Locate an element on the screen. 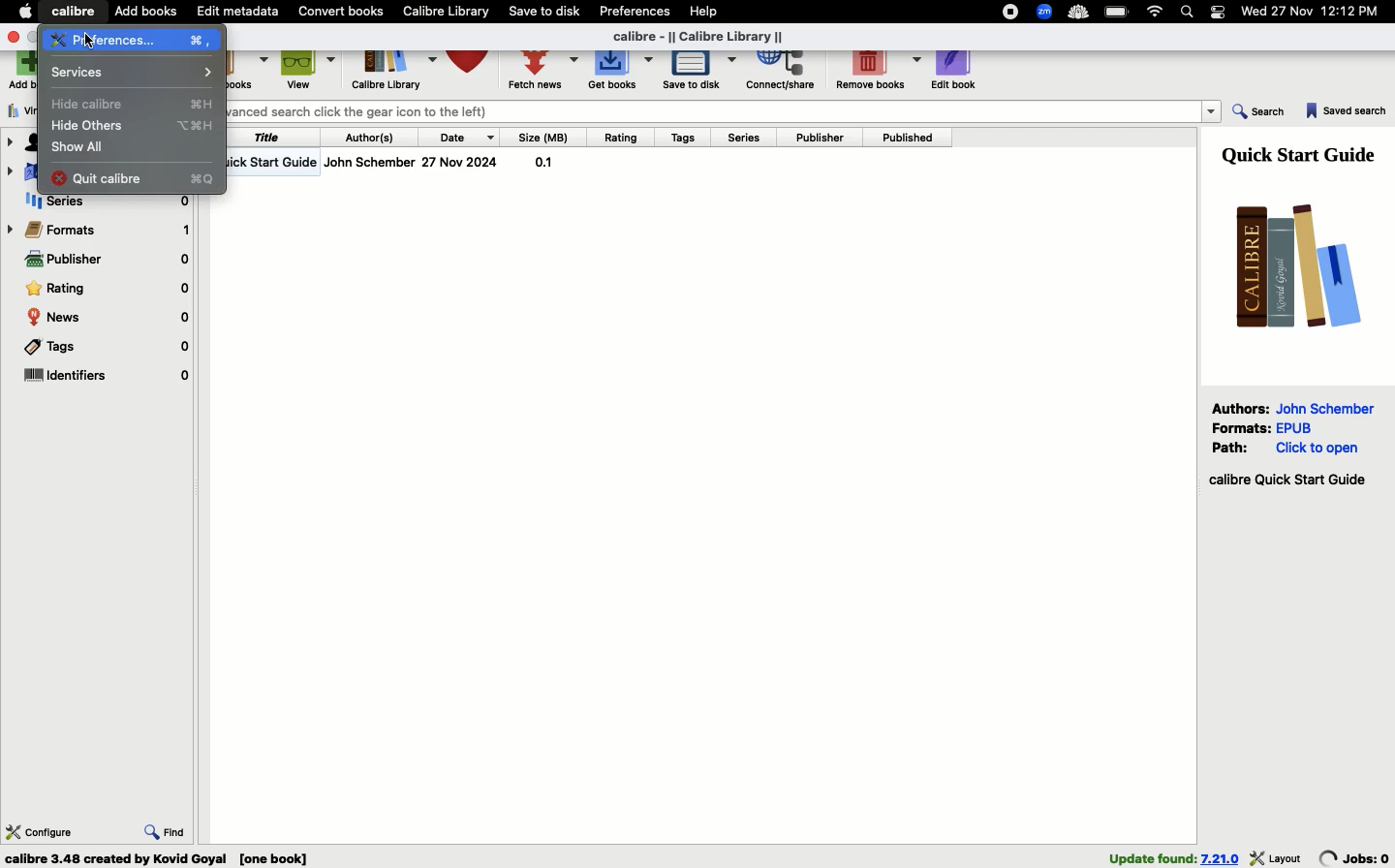 This screenshot has height=868, width=1395. Preferences is located at coordinates (636, 10).